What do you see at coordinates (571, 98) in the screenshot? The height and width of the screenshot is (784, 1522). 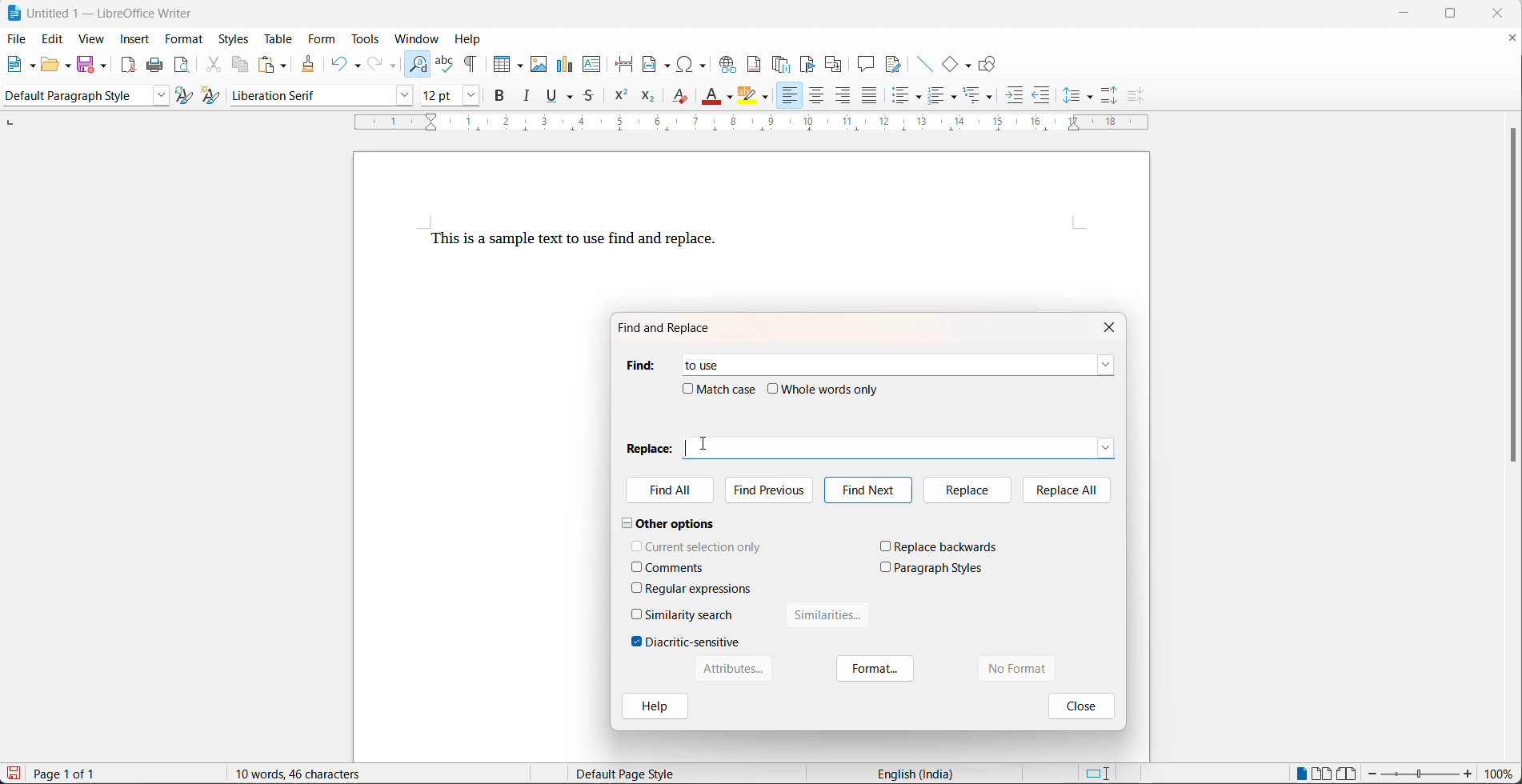 I see `underline options` at bounding box center [571, 98].